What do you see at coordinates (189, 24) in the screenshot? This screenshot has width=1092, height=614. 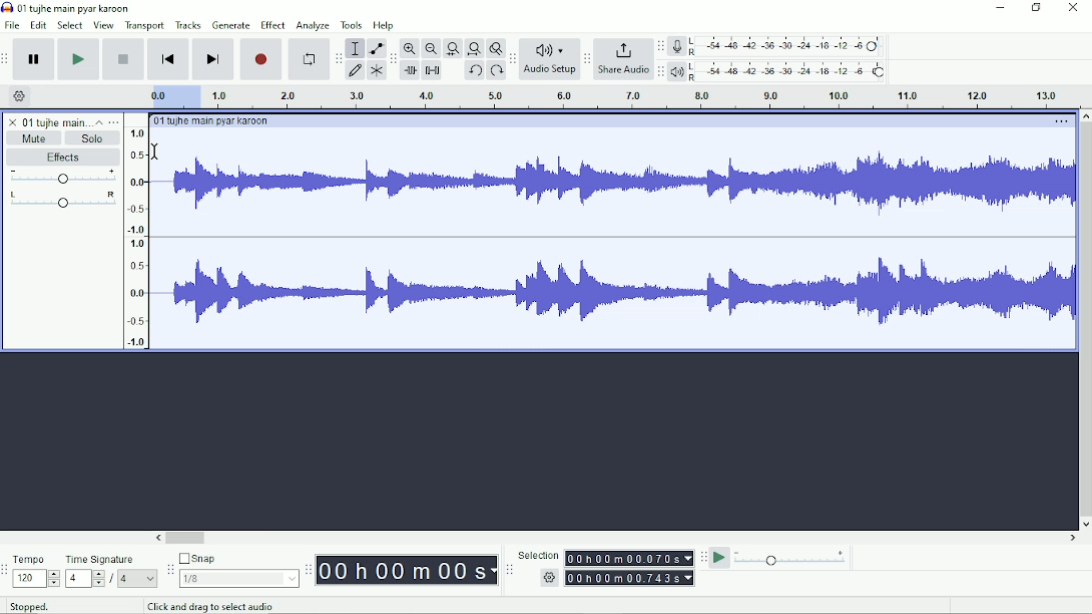 I see `Tracks` at bounding box center [189, 24].